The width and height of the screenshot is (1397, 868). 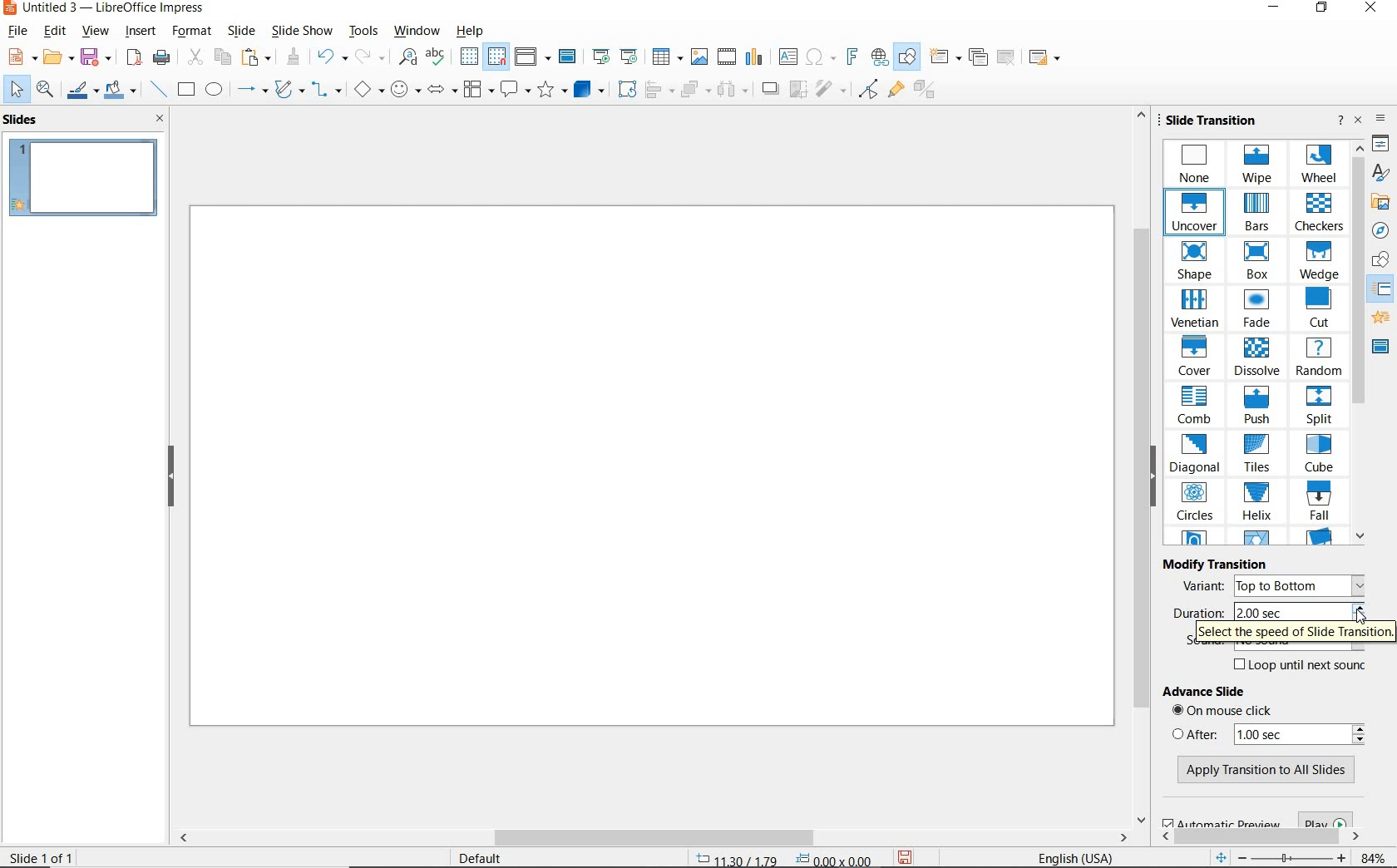 I want to click on CLOSE SIDEBAR DECK, so click(x=1359, y=121).